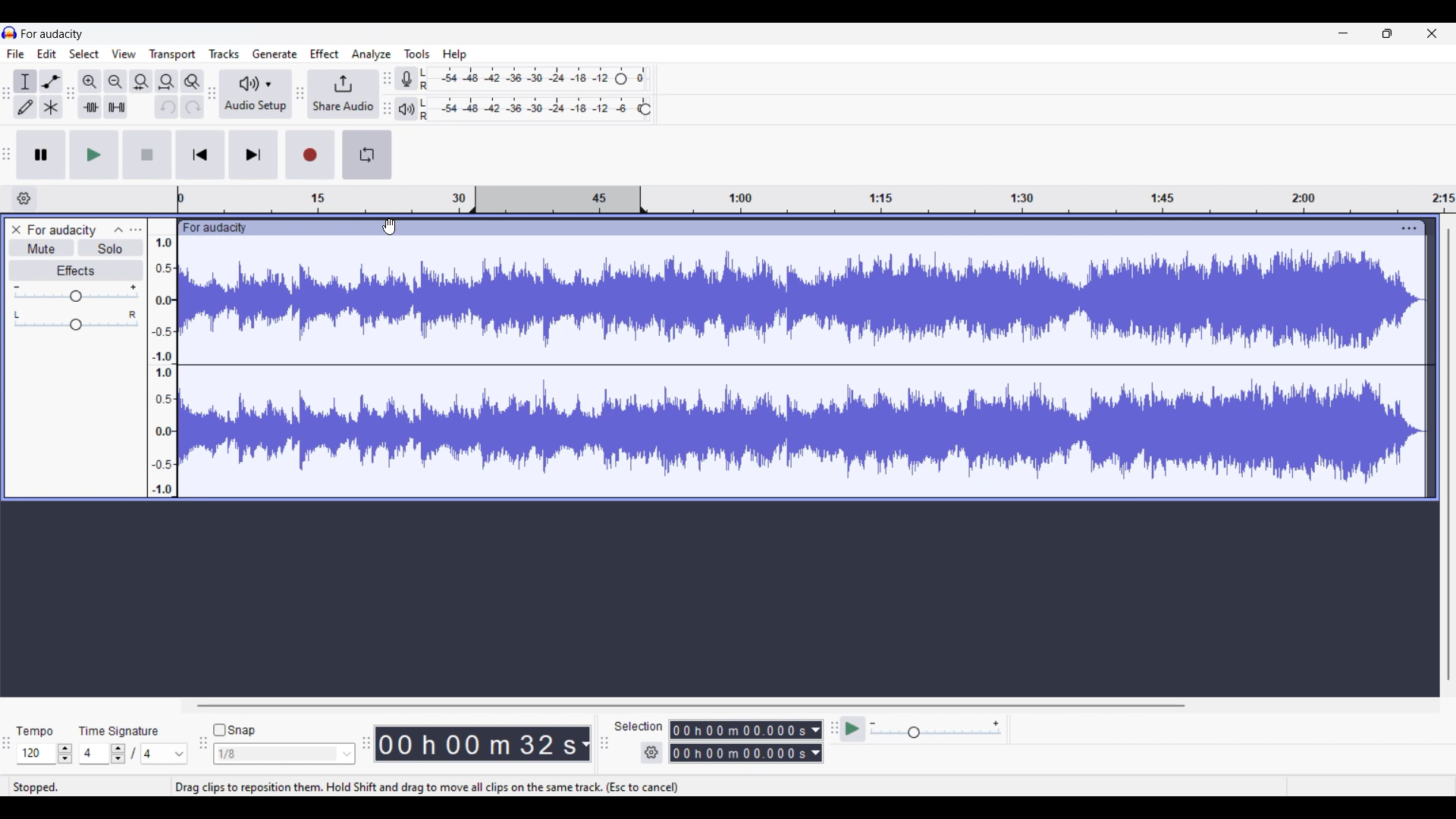 This screenshot has width=1456, height=819. I want to click on Selection settings, so click(651, 752).